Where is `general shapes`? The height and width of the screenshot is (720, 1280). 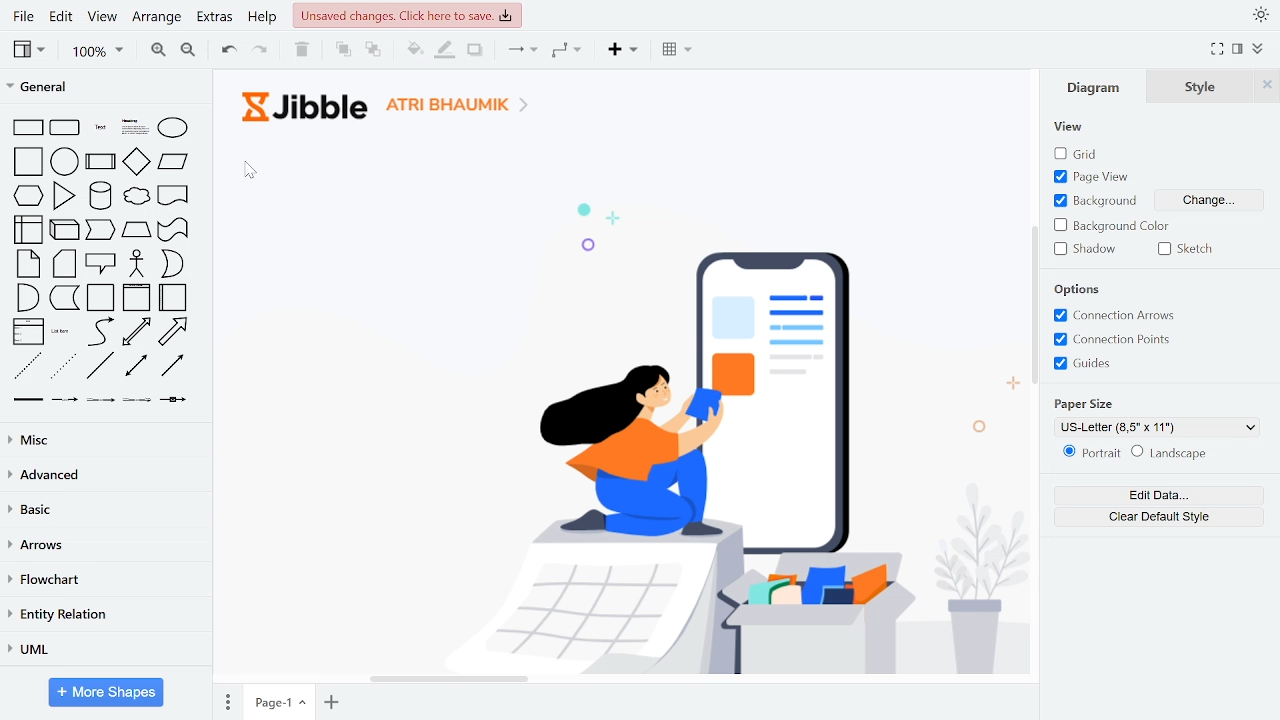 general shapes is located at coordinates (133, 365).